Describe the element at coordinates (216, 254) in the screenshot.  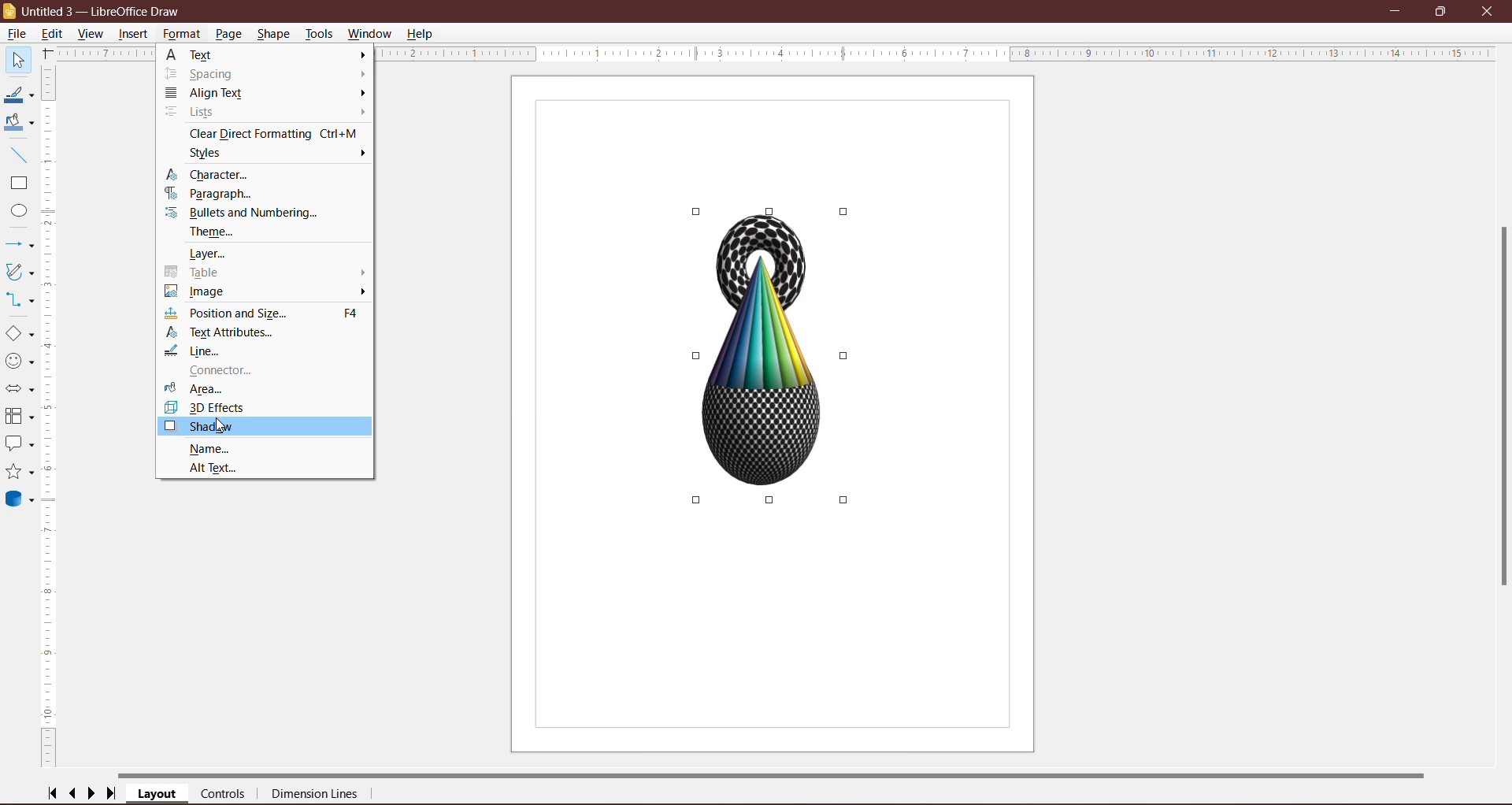
I see `Layer` at that location.